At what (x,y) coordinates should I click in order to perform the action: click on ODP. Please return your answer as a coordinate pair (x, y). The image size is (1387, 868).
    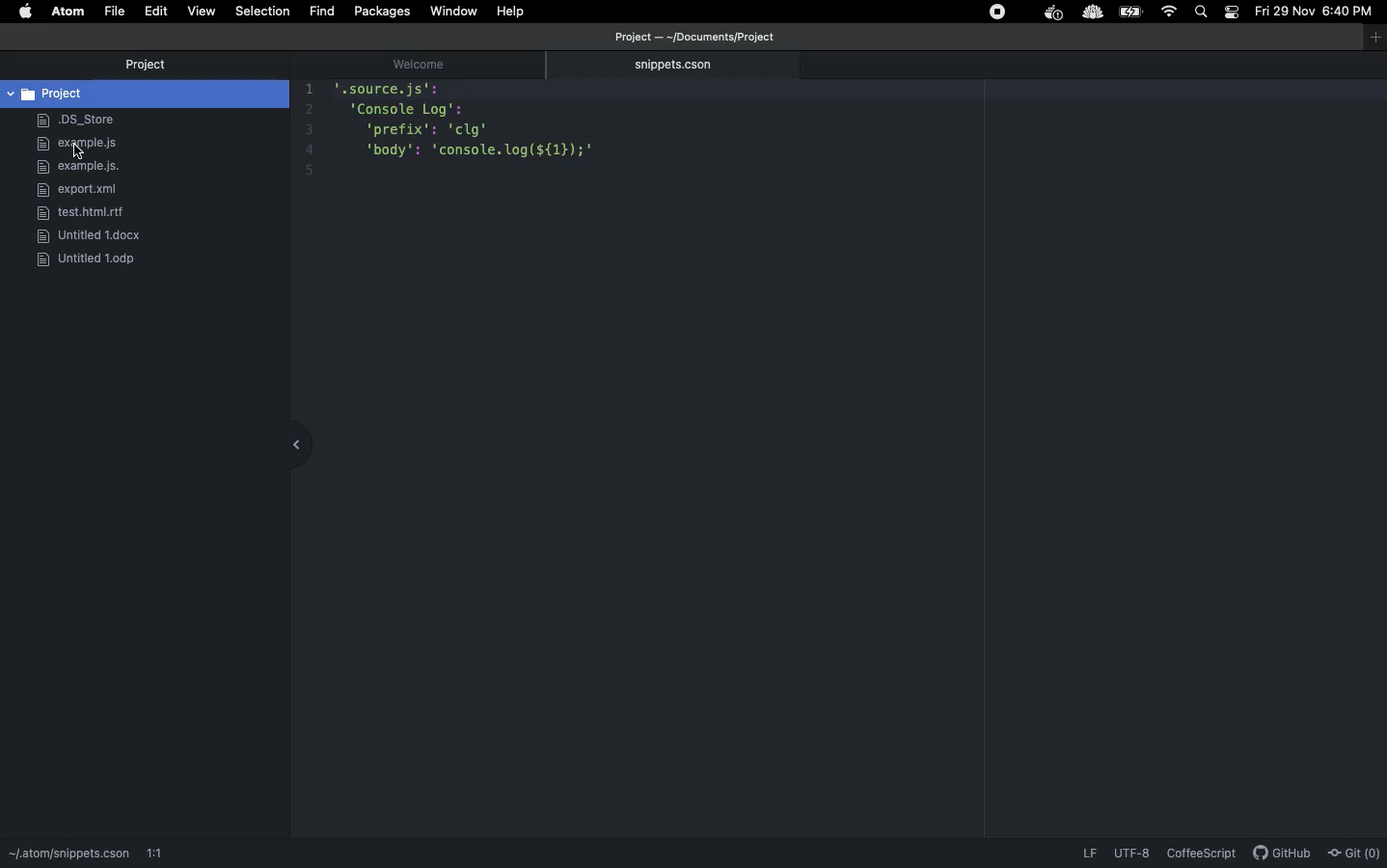
    Looking at the image, I should click on (95, 258).